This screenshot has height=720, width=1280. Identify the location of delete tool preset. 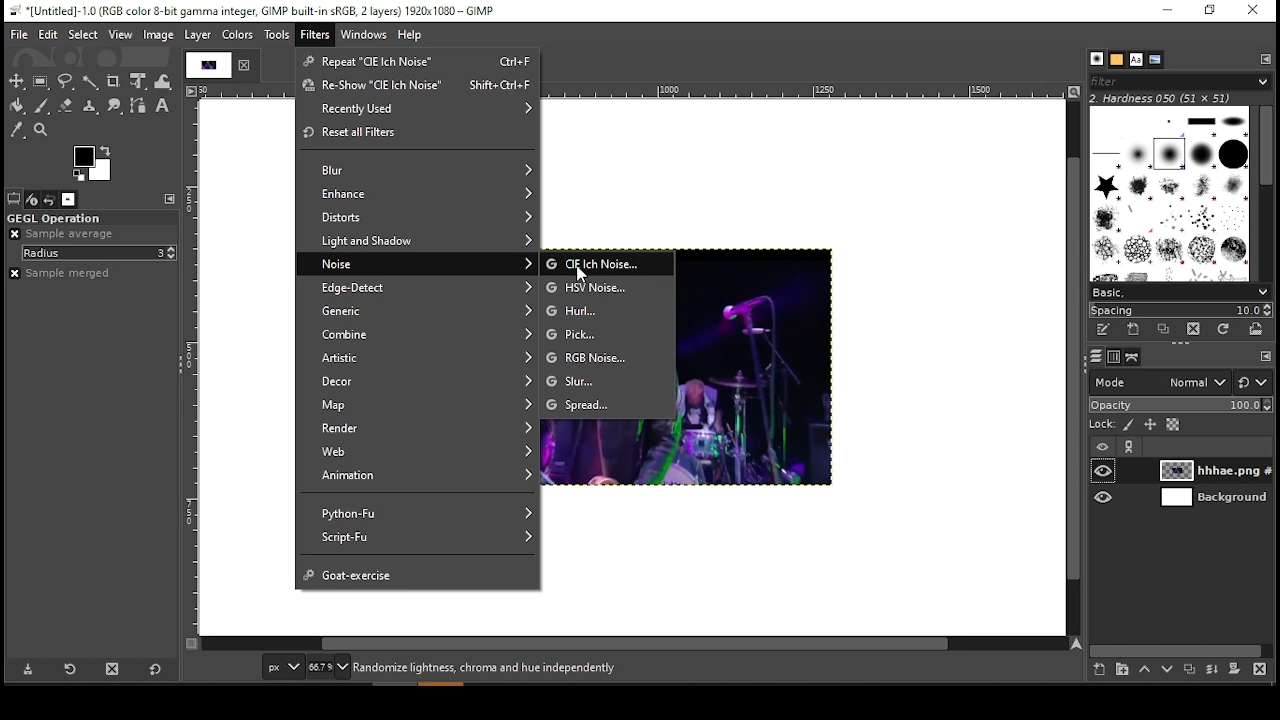
(112, 668).